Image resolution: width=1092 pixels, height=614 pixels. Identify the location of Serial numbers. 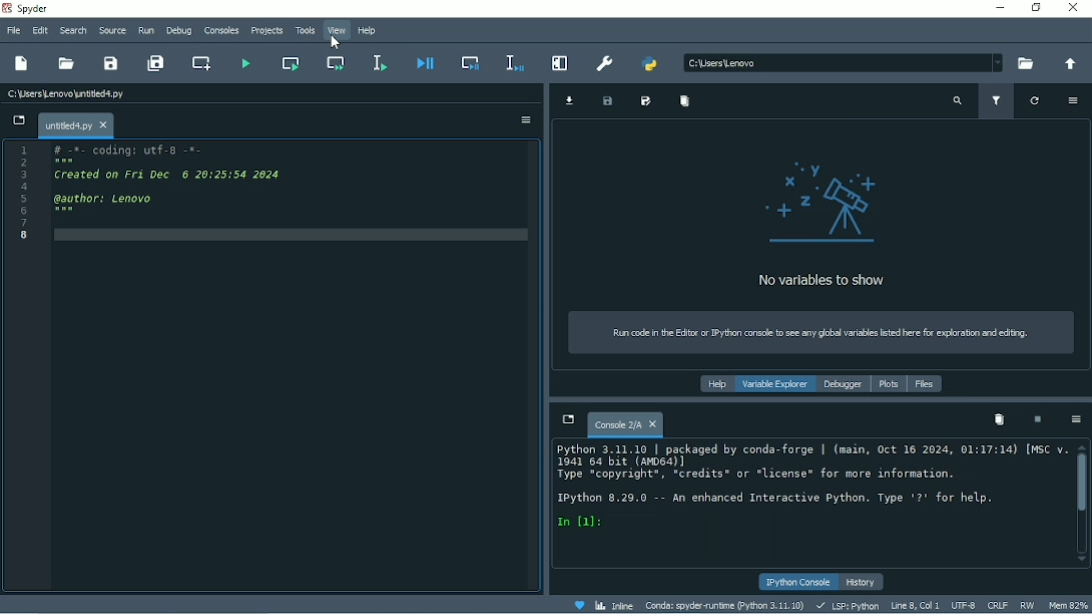
(25, 192).